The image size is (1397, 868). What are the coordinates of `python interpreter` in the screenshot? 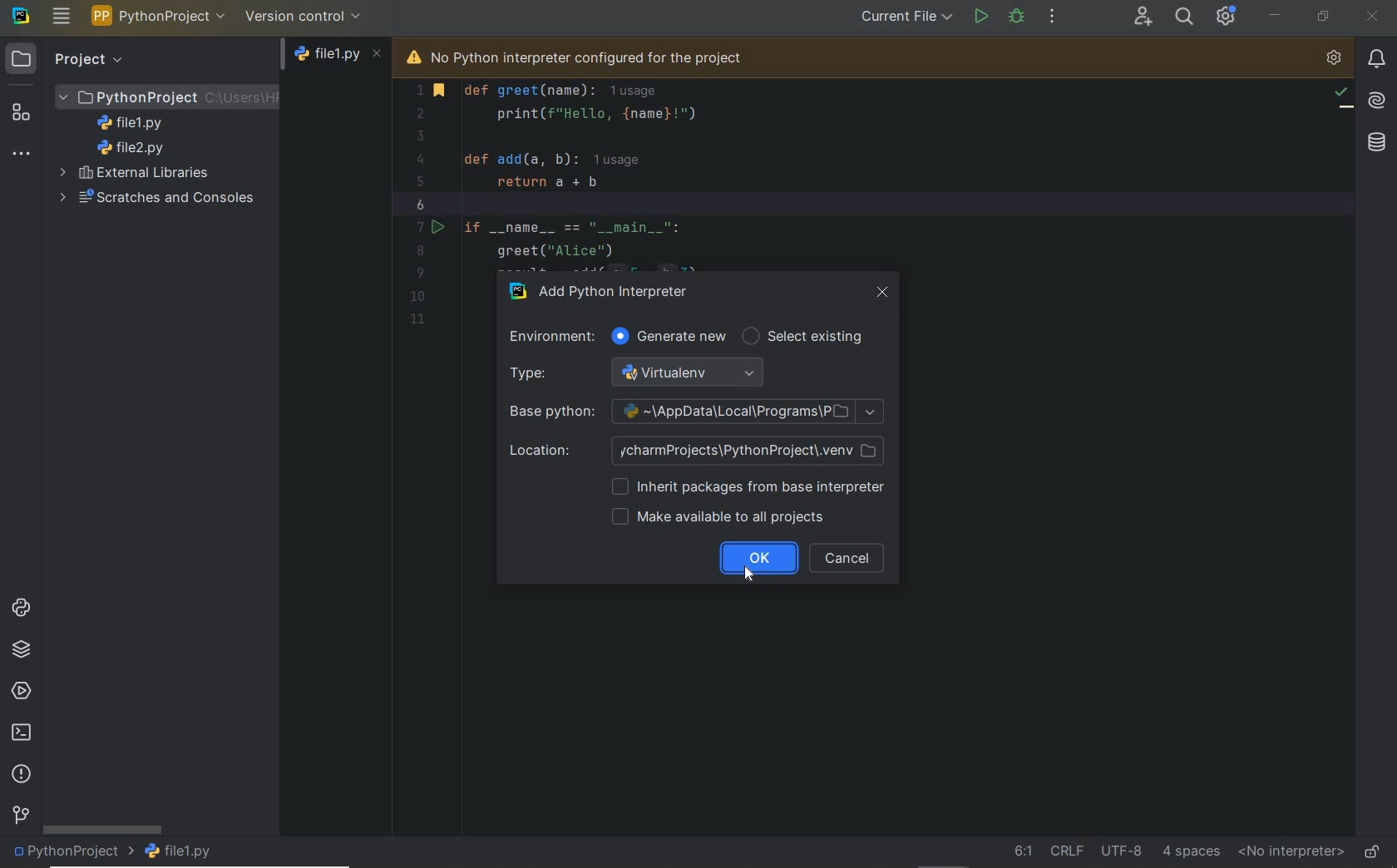 It's located at (1334, 59).